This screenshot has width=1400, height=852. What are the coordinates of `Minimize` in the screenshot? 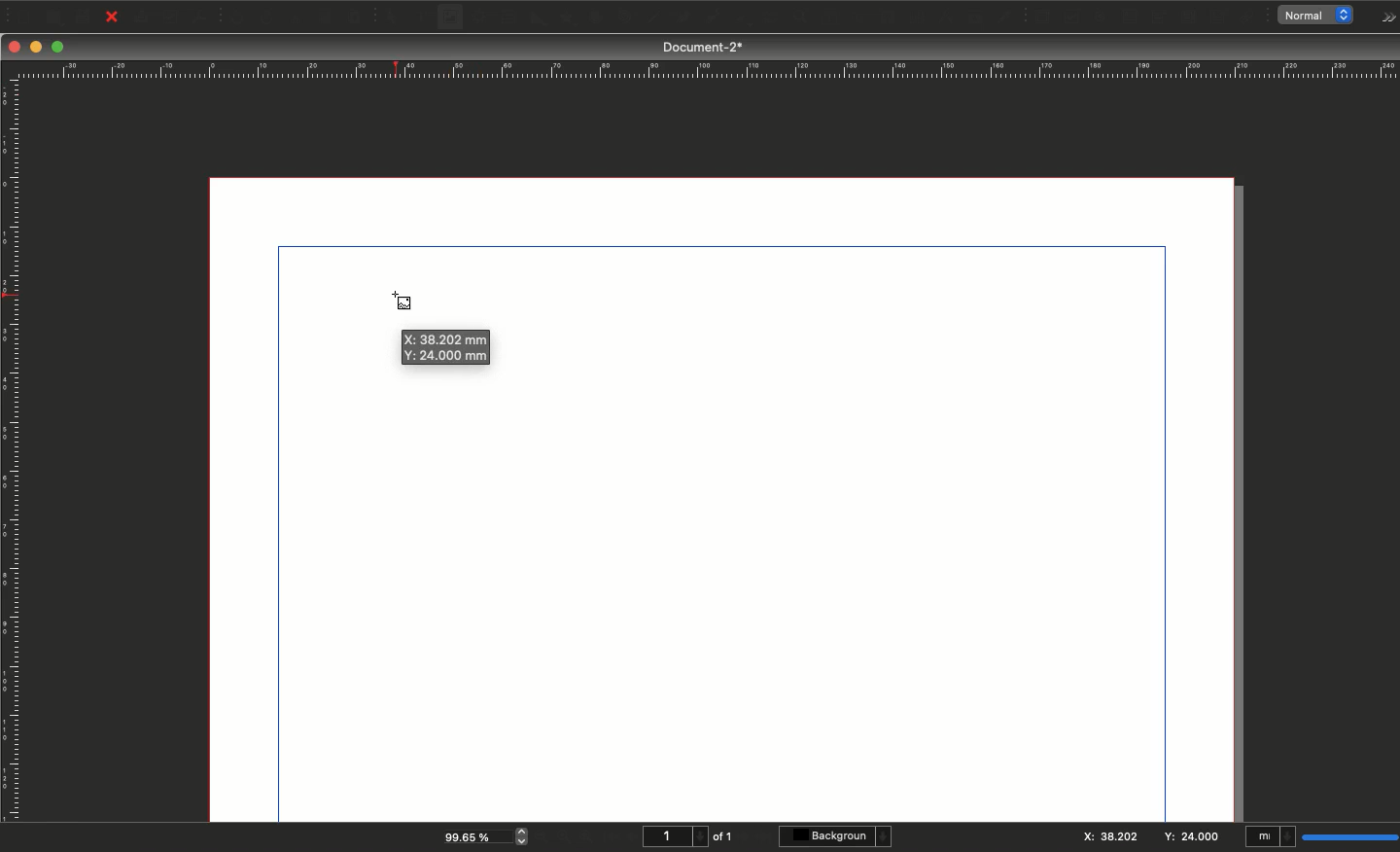 It's located at (38, 48).